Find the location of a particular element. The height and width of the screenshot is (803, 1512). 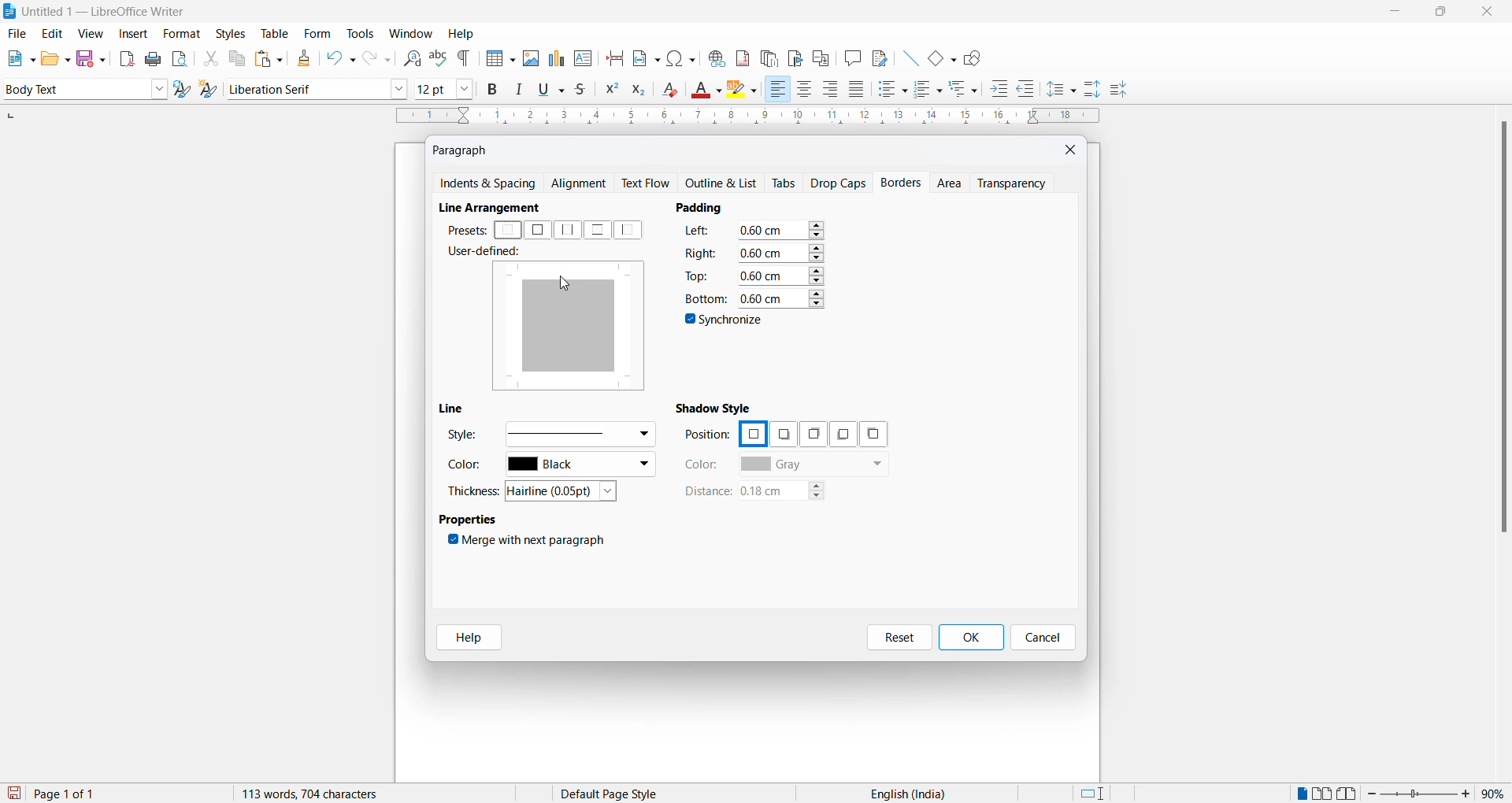

none is located at coordinates (509, 231).